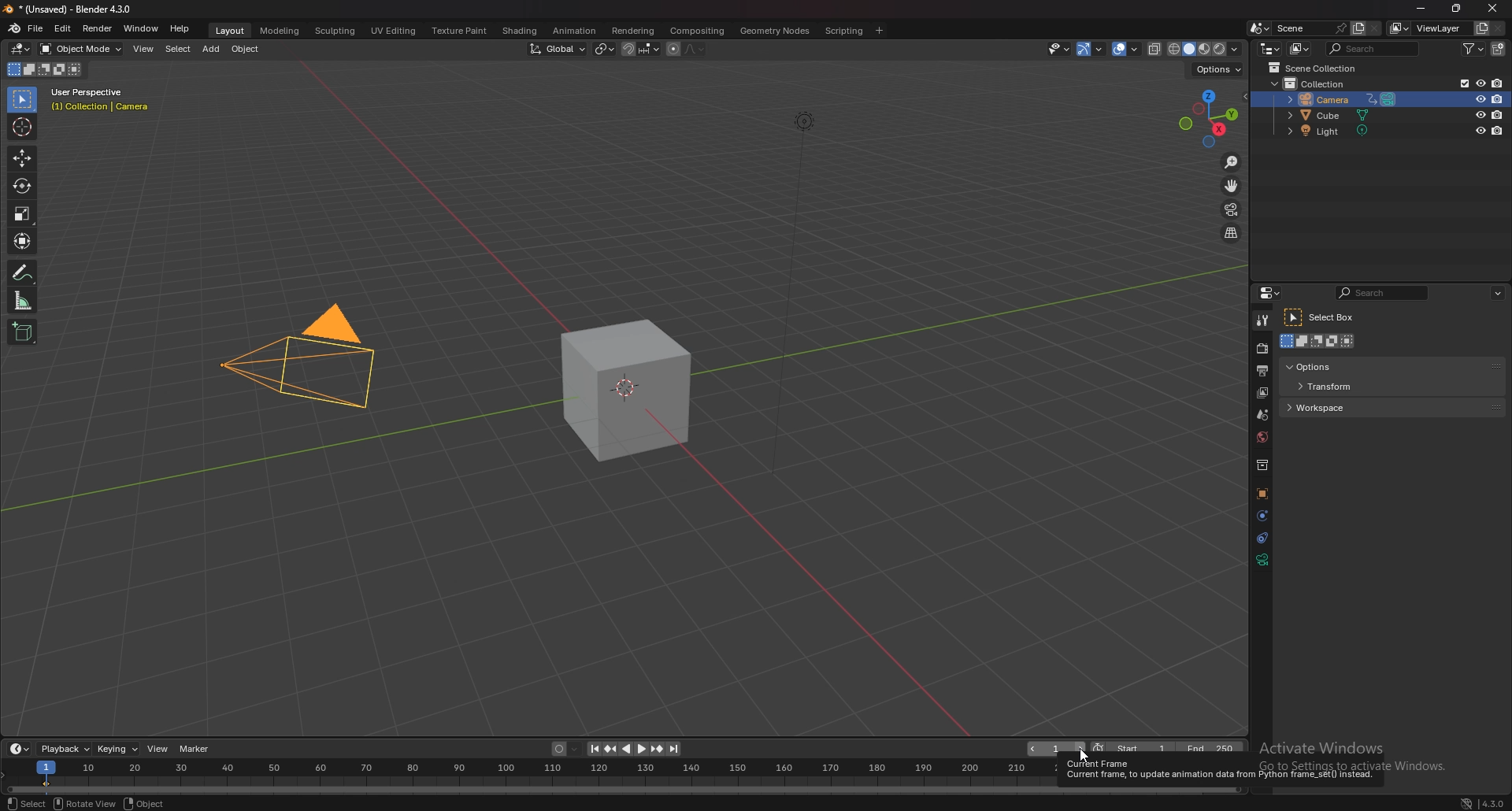  What do you see at coordinates (246, 50) in the screenshot?
I see `object` at bounding box center [246, 50].